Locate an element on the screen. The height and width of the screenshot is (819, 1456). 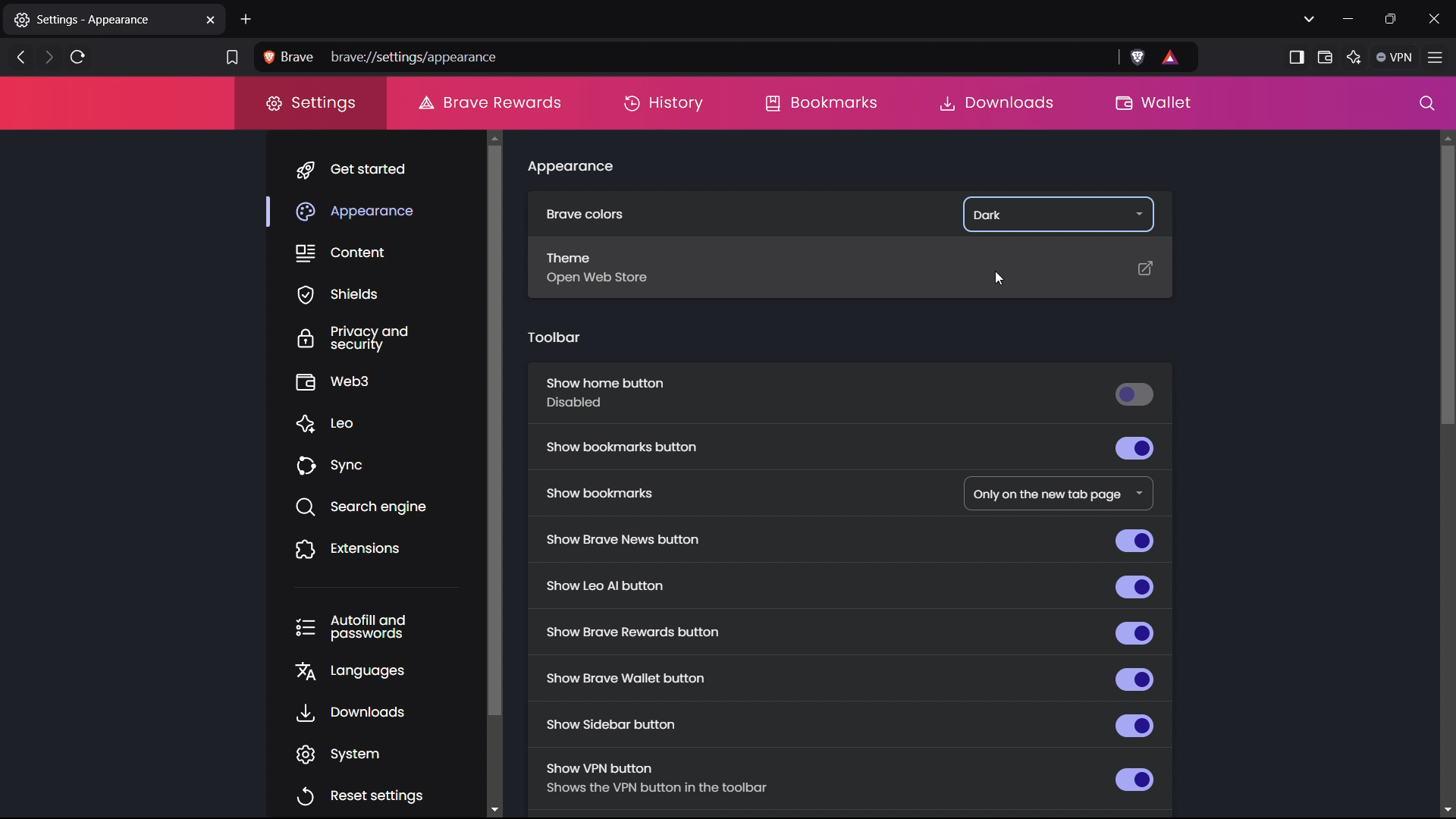
 customize and control is located at coordinates (1437, 56).